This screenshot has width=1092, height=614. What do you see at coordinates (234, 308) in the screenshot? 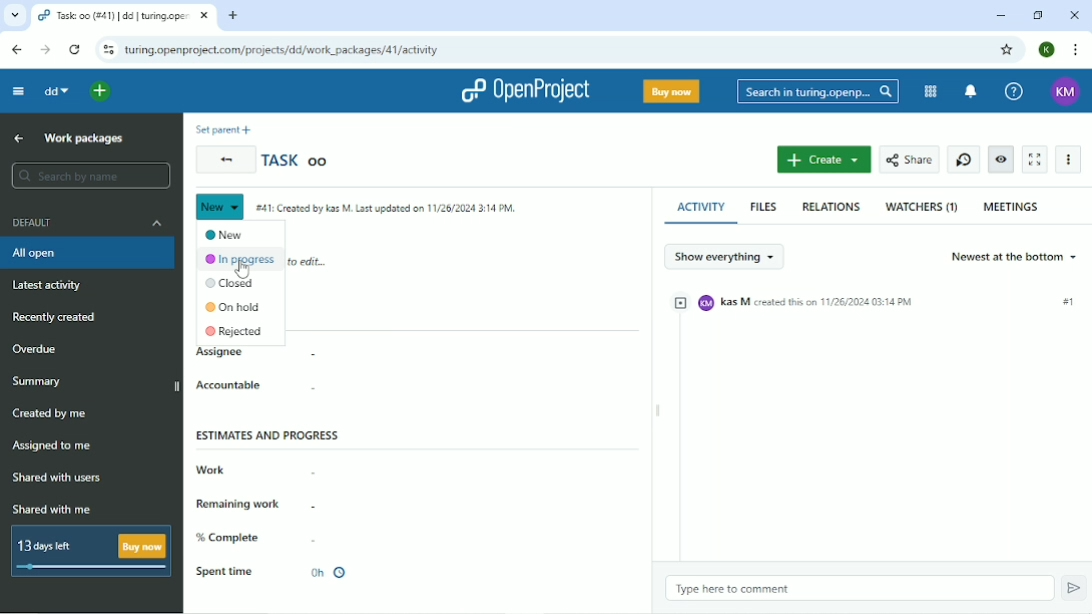
I see `On hold` at bounding box center [234, 308].